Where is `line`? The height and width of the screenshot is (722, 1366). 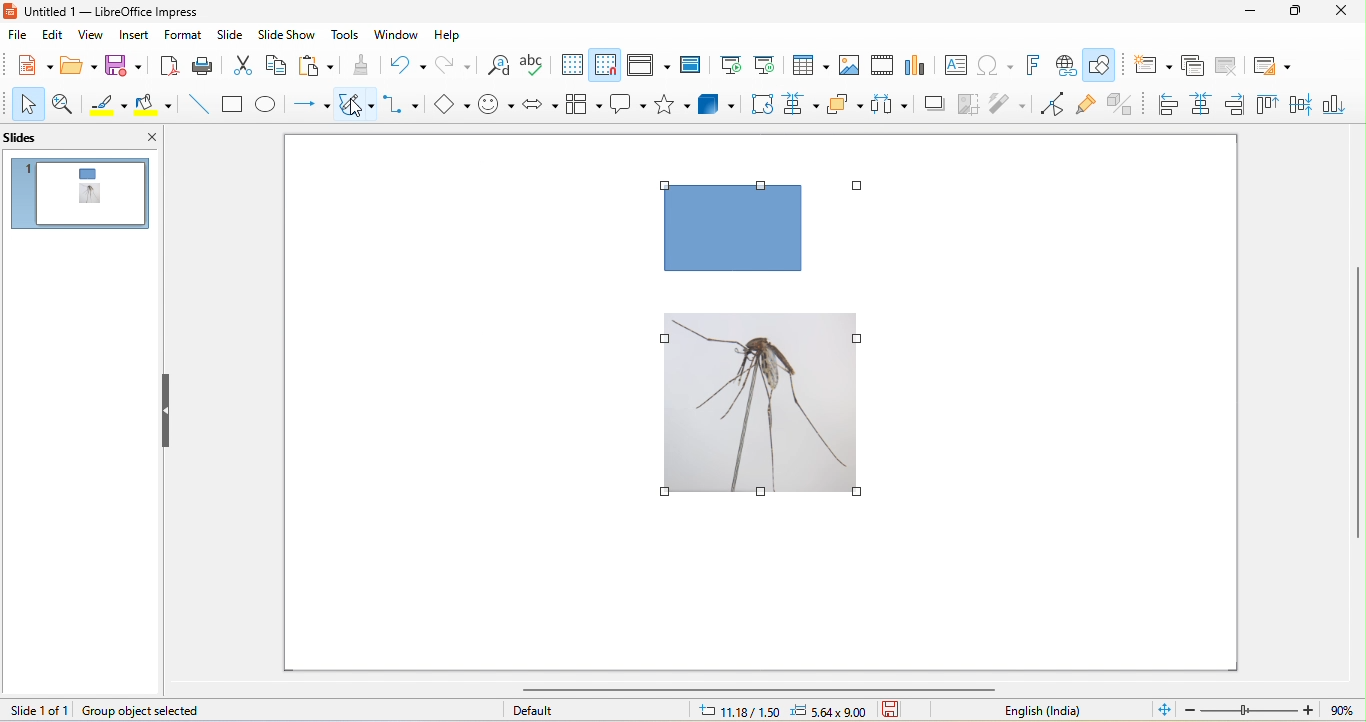 line is located at coordinates (201, 105).